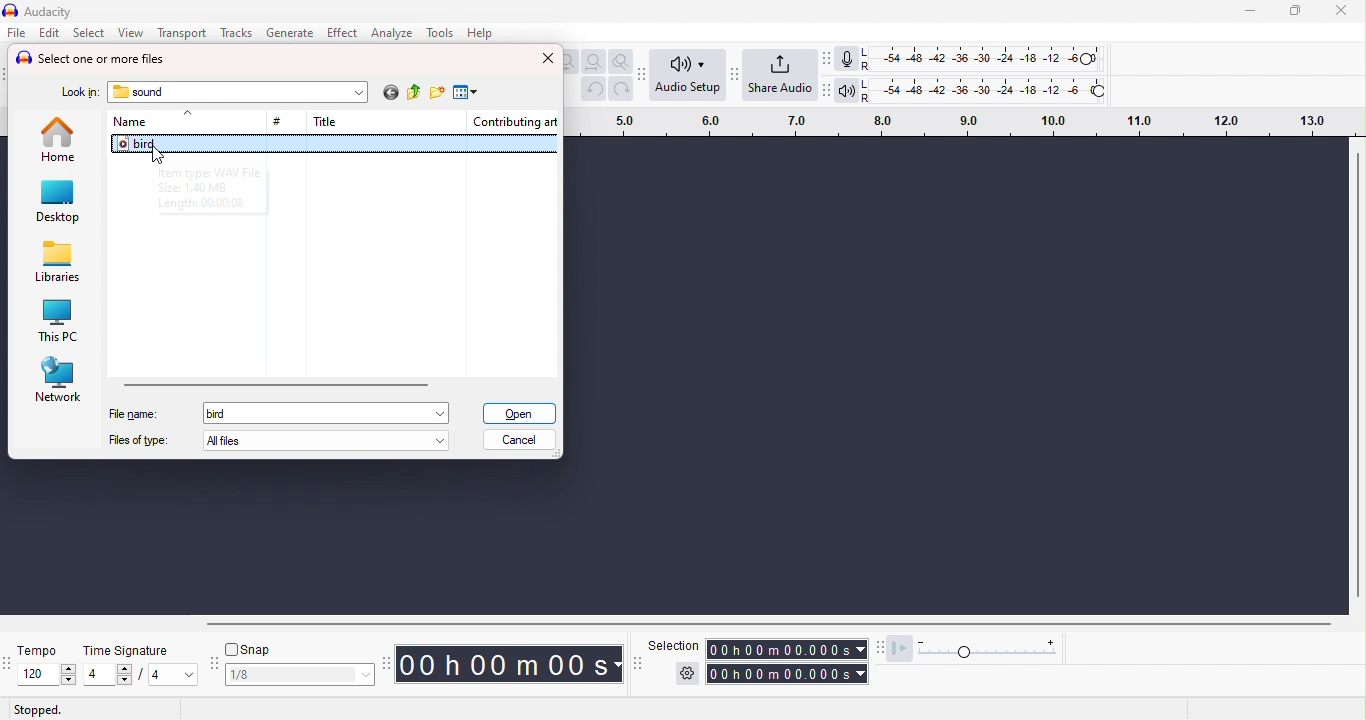 The width and height of the screenshot is (1366, 720). Describe the element at coordinates (749, 623) in the screenshot. I see `horizontal scroll bar` at that location.